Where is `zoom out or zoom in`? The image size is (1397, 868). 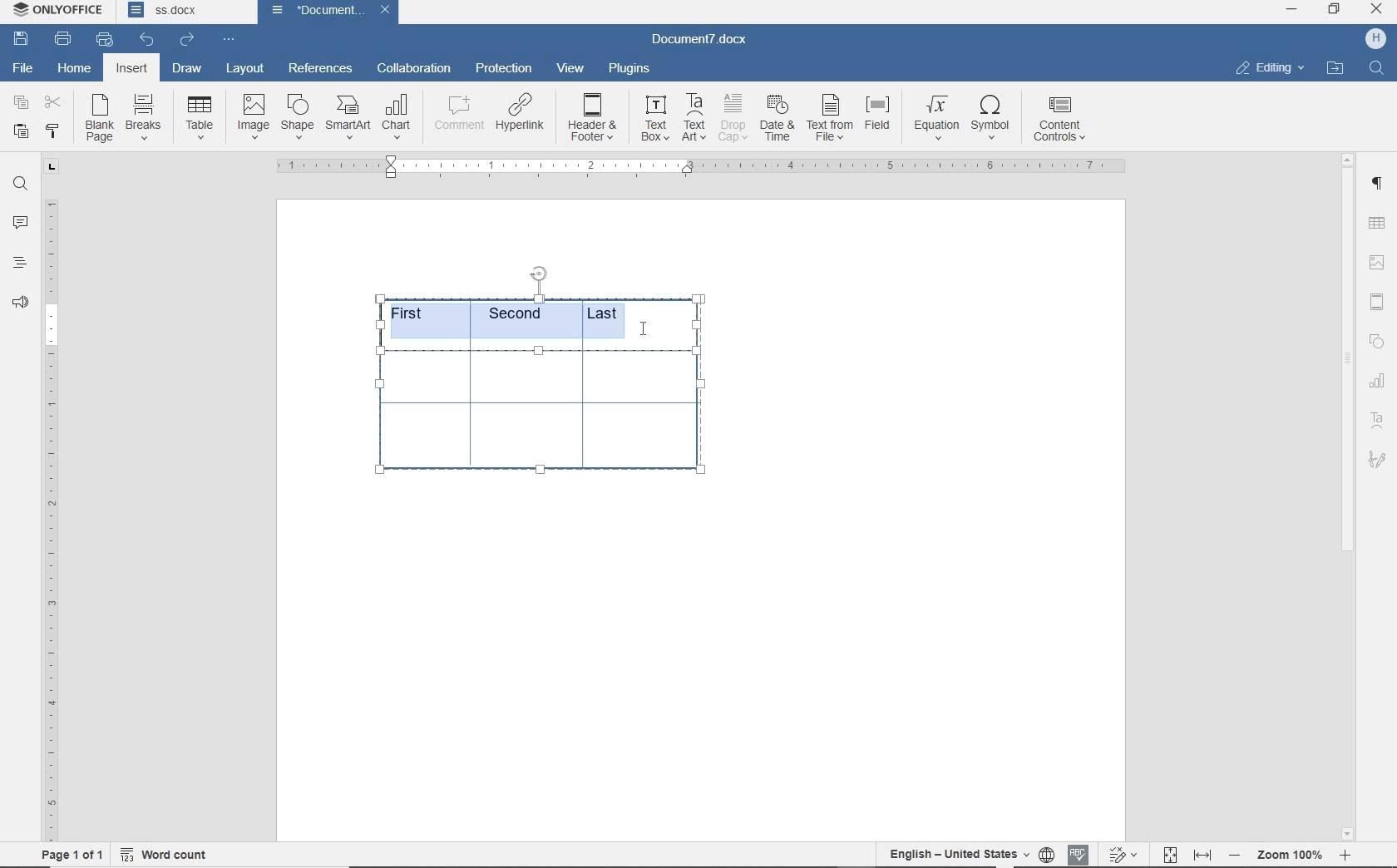 zoom out or zoom in is located at coordinates (1294, 852).